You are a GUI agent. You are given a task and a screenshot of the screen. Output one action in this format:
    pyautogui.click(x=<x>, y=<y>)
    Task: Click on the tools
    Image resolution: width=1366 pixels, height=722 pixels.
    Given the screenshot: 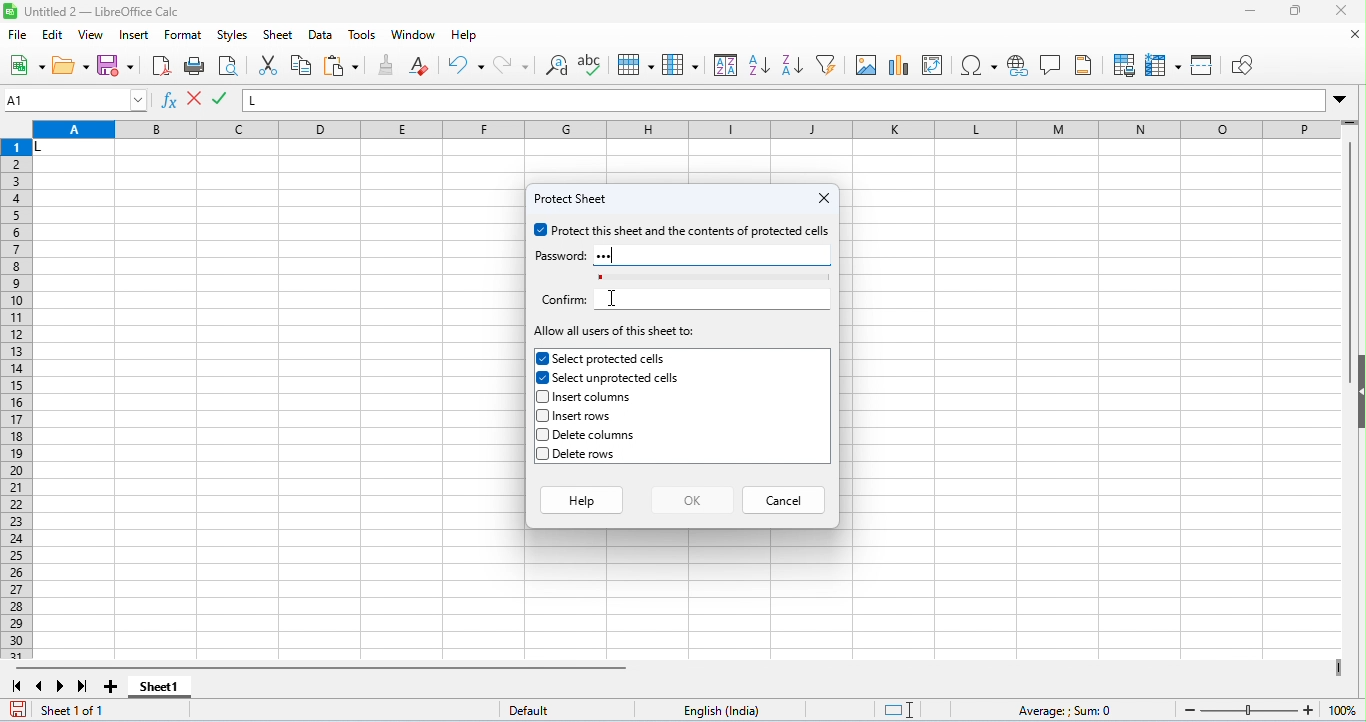 What is the action you would take?
    pyautogui.click(x=364, y=35)
    